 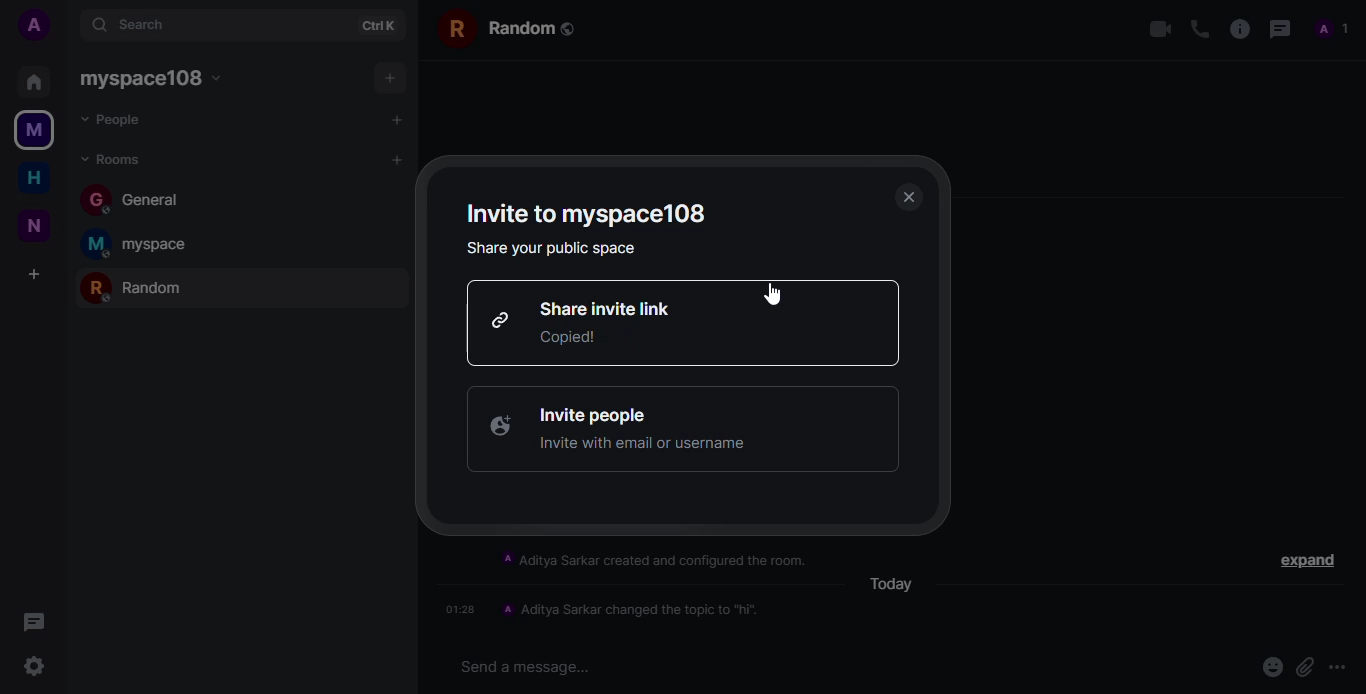 What do you see at coordinates (396, 158) in the screenshot?
I see `add` at bounding box center [396, 158].